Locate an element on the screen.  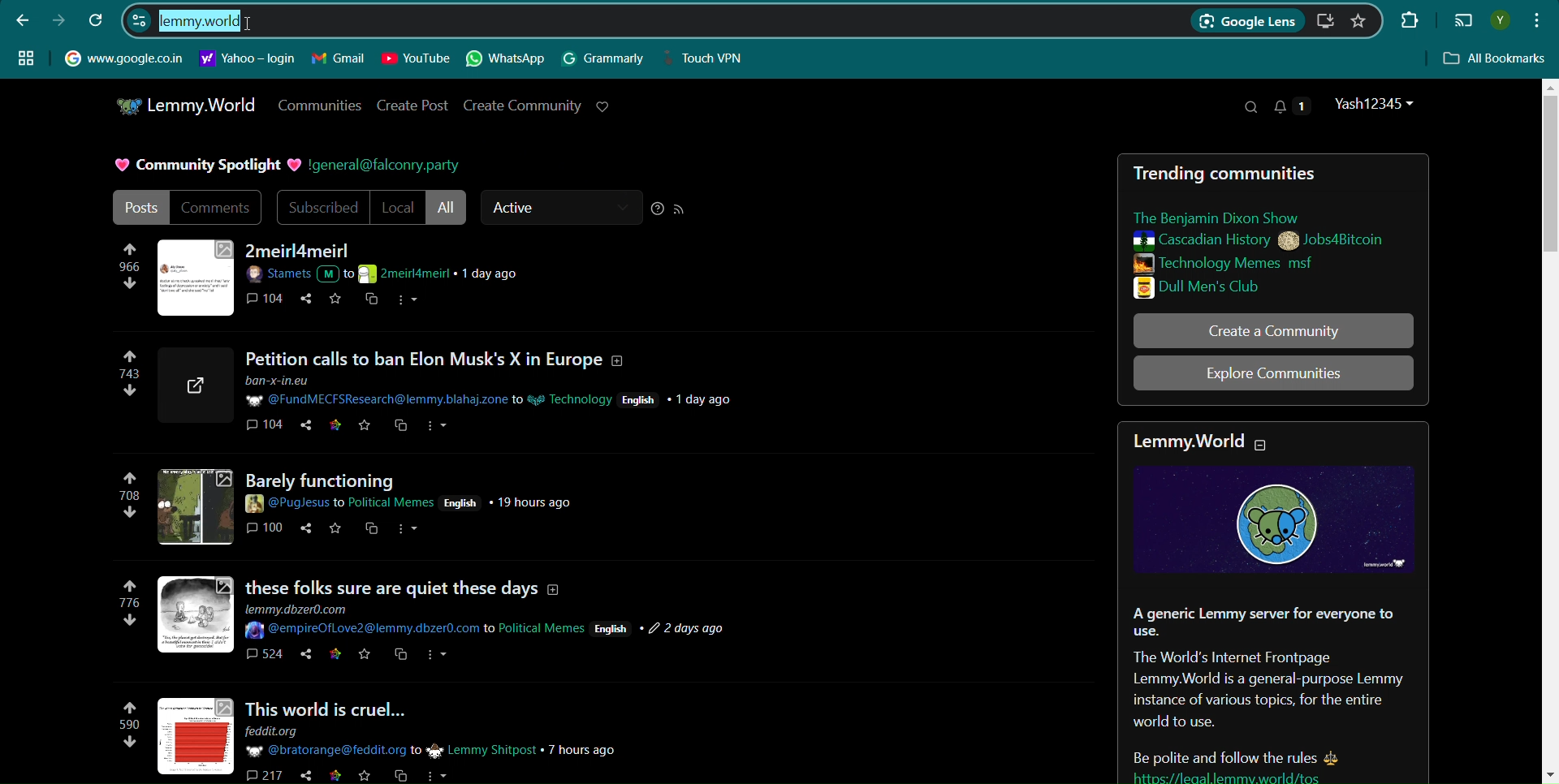
star is located at coordinates (334, 657).